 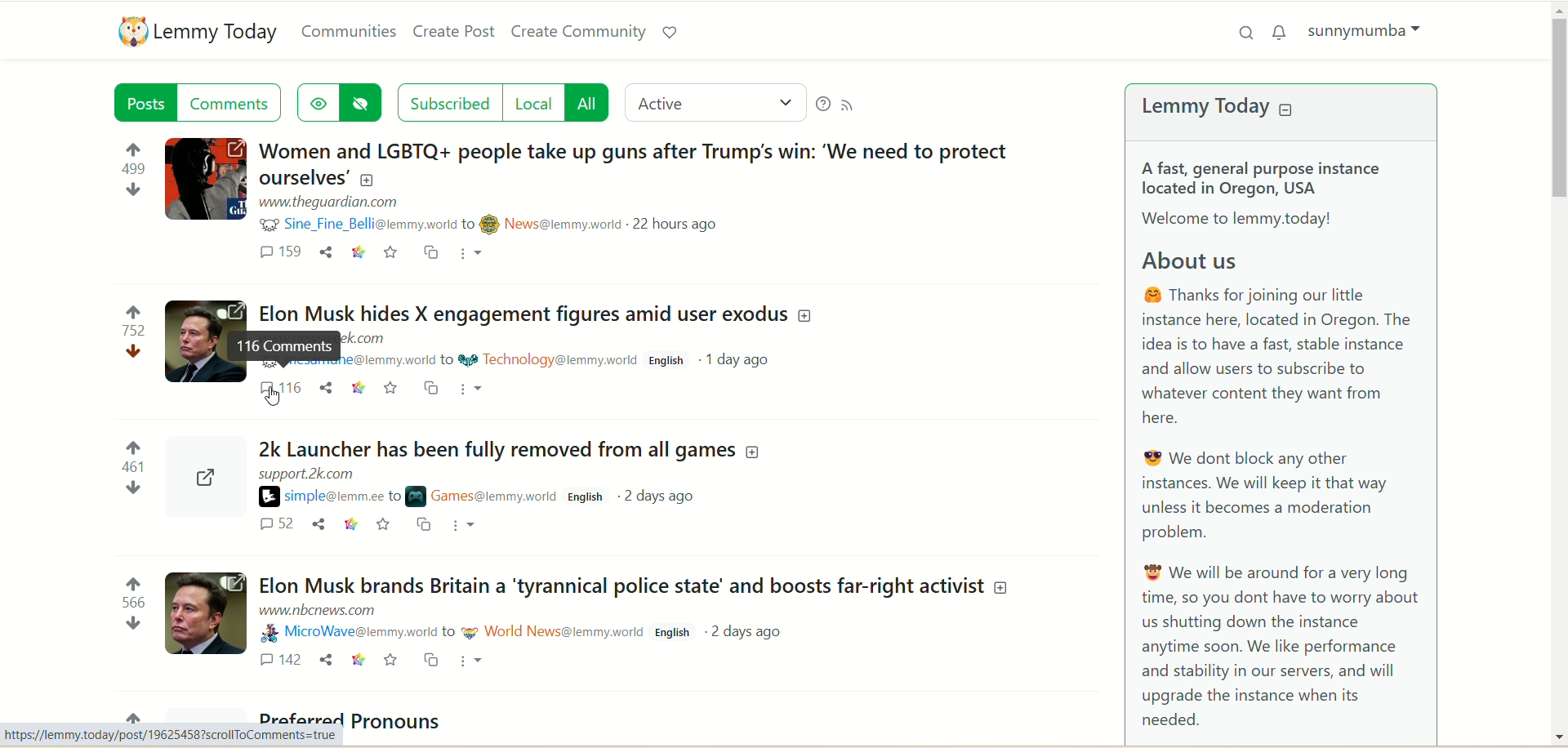 What do you see at coordinates (822, 105) in the screenshot?
I see `help` at bounding box center [822, 105].